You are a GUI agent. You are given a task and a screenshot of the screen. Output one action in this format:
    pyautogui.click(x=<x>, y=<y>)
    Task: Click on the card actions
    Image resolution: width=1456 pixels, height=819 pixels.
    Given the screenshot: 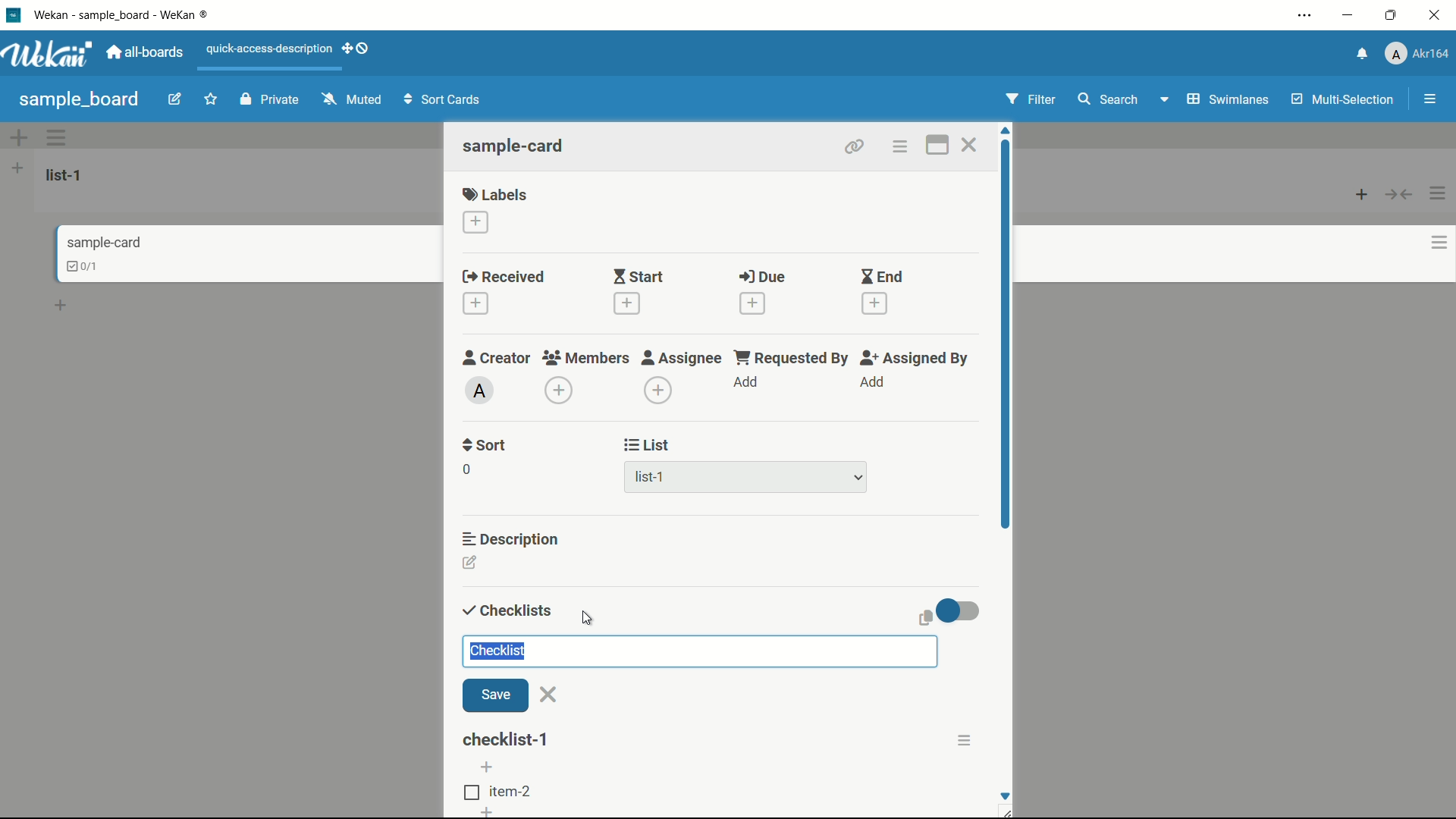 What is the action you would take?
    pyautogui.click(x=1439, y=243)
    